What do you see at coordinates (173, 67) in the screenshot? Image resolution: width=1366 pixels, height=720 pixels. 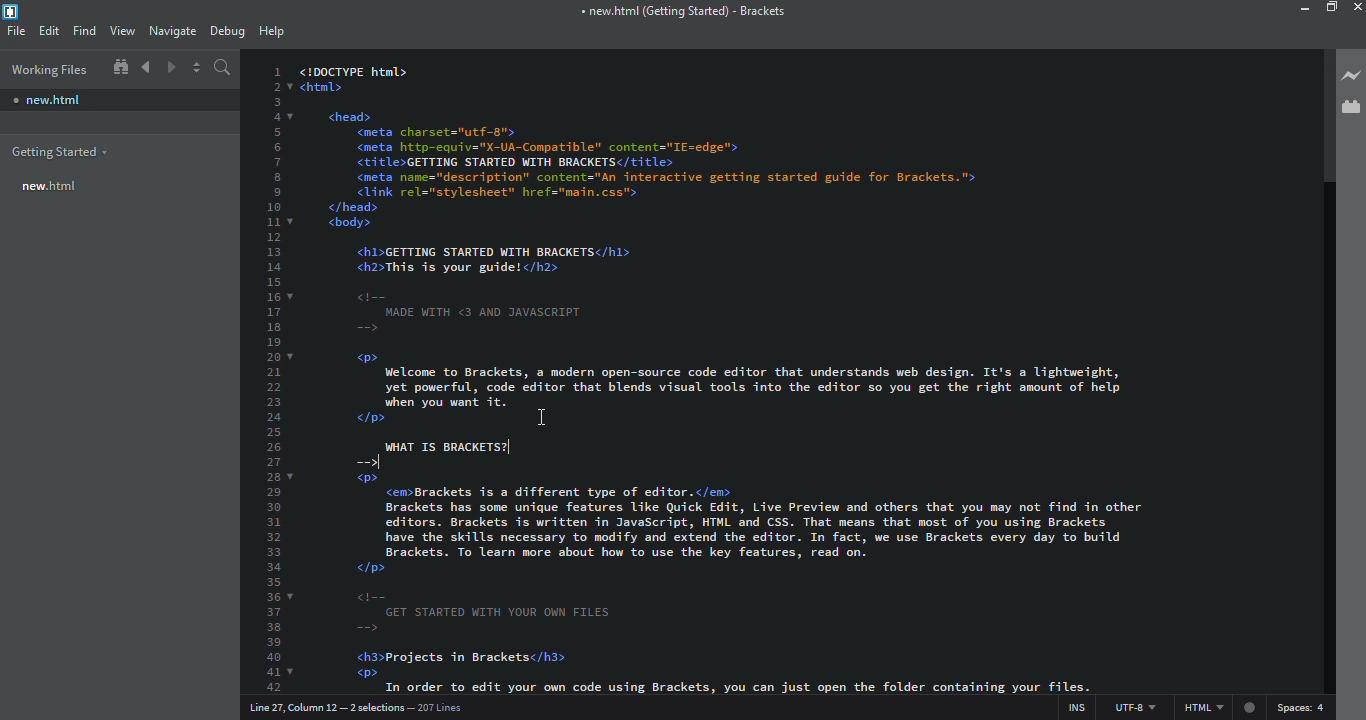 I see `navigate forward` at bounding box center [173, 67].